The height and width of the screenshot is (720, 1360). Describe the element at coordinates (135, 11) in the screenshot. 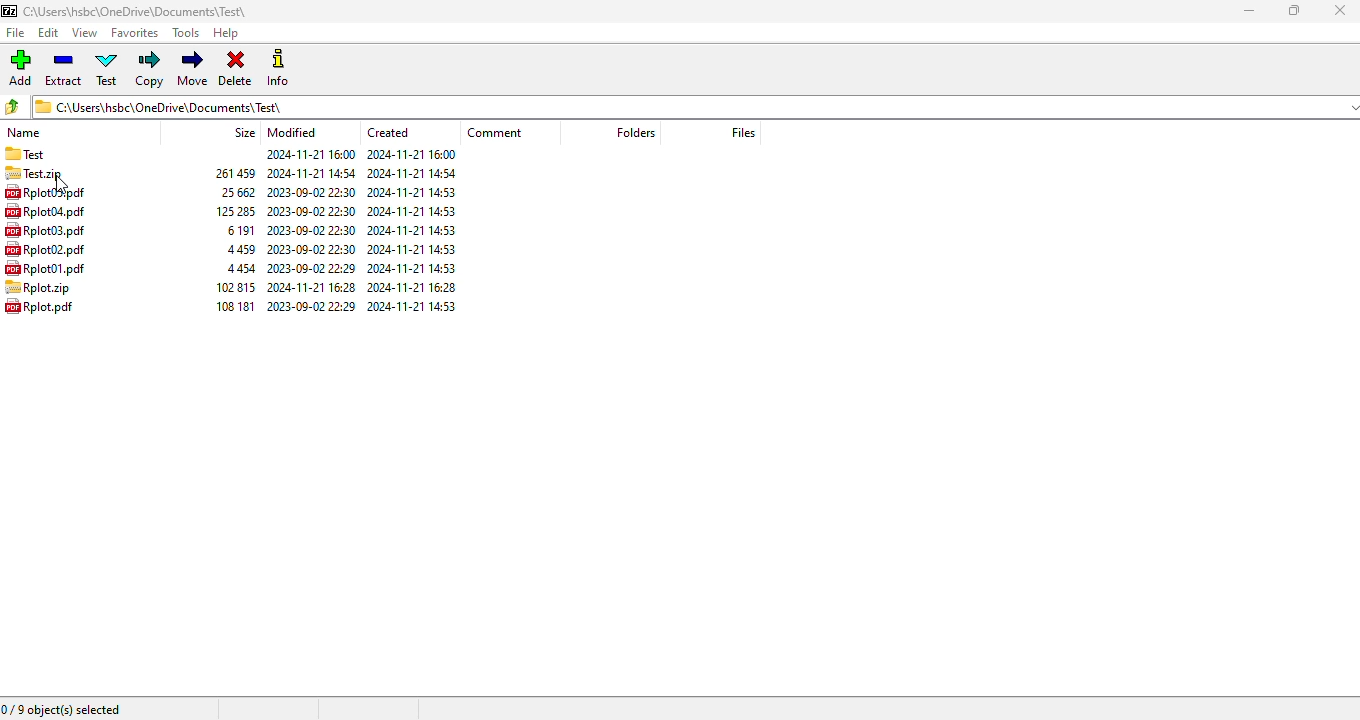

I see `folder name` at that location.